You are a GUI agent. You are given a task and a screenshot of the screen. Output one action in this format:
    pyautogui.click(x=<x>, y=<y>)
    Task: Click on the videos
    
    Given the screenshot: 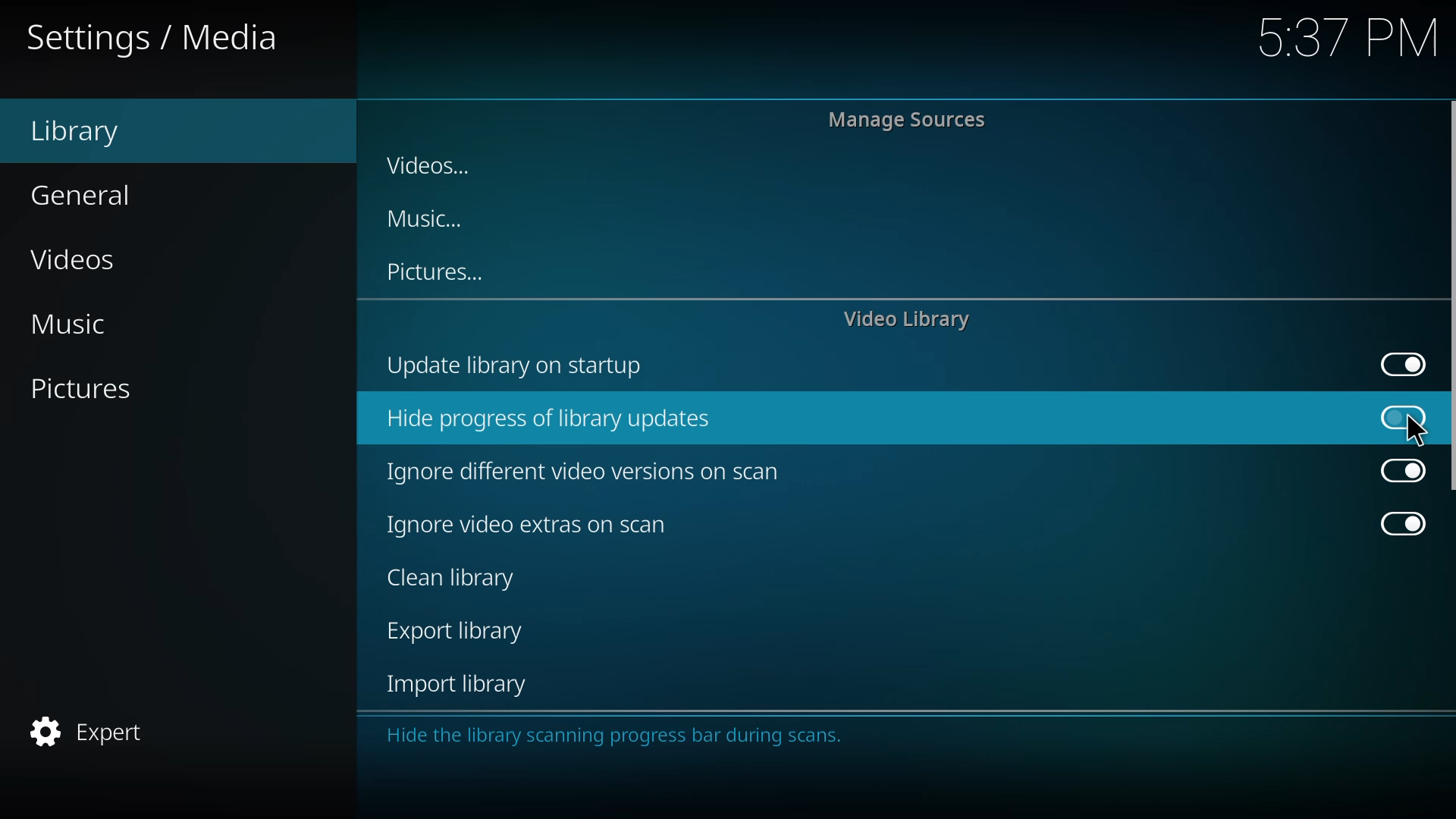 What is the action you would take?
    pyautogui.click(x=91, y=256)
    